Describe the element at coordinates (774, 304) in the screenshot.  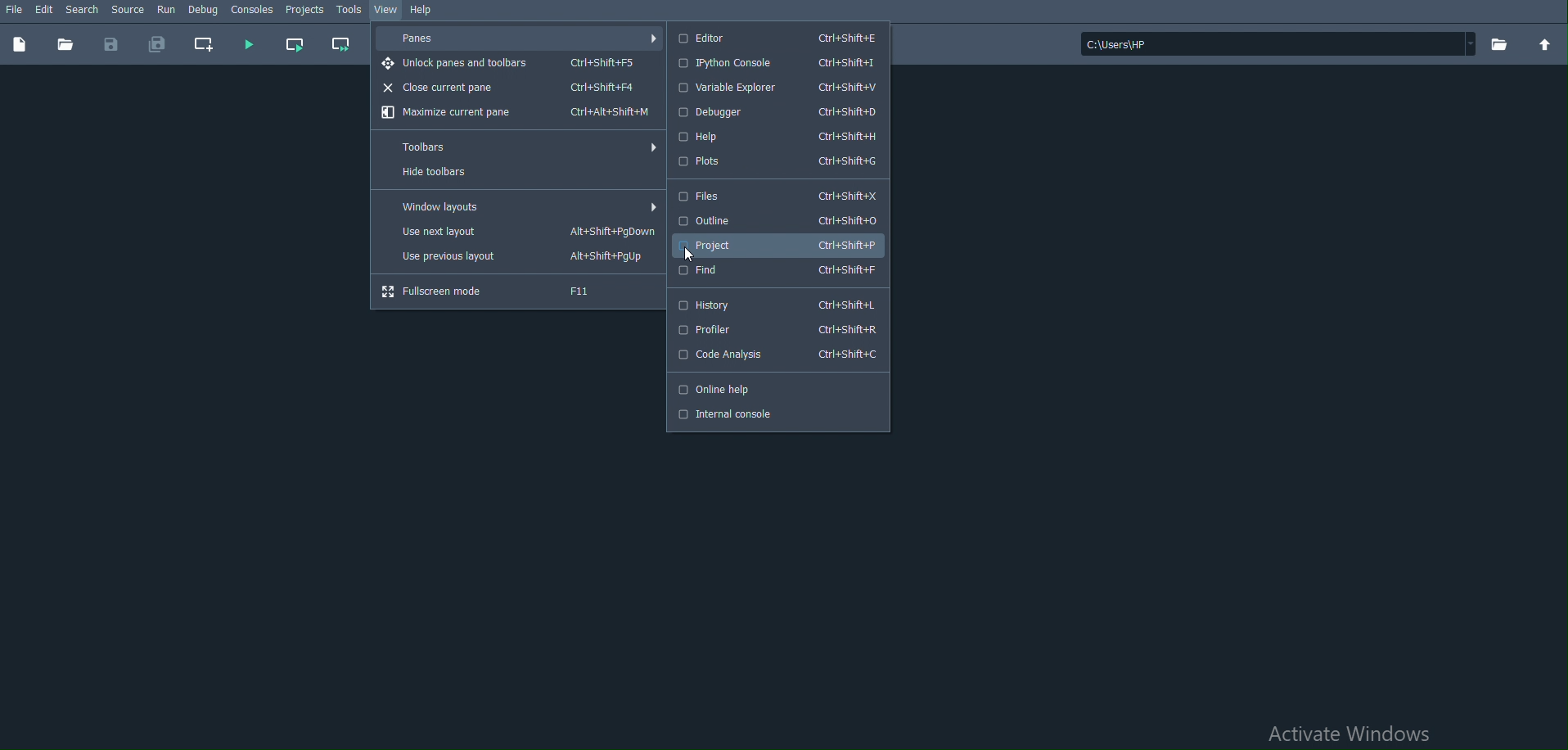
I see `History` at that location.